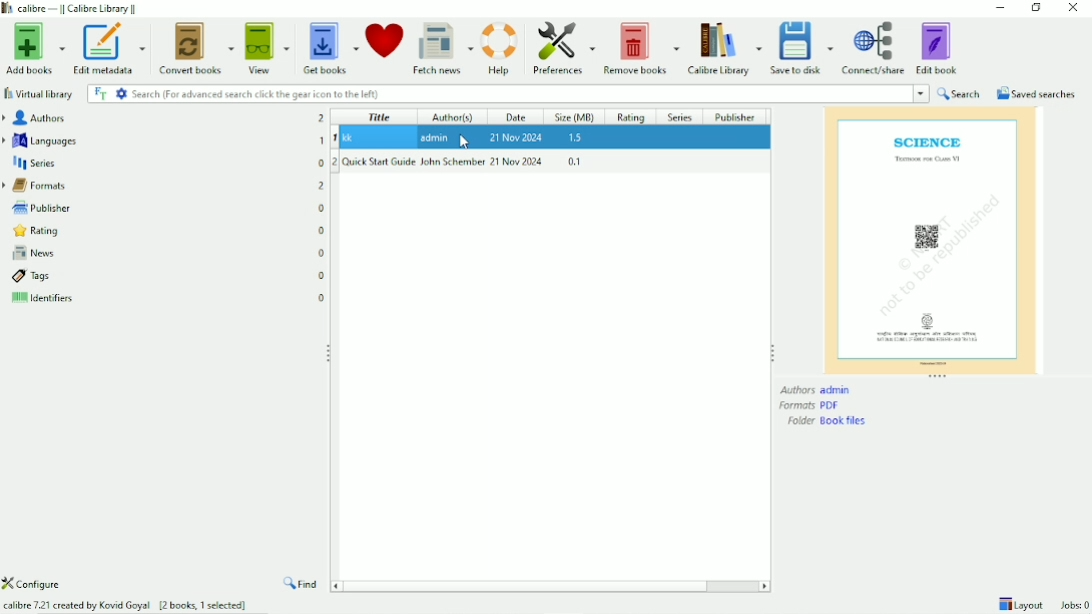  What do you see at coordinates (561, 48) in the screenshot?
I see `Preferences` at bounding box center [561, 48].